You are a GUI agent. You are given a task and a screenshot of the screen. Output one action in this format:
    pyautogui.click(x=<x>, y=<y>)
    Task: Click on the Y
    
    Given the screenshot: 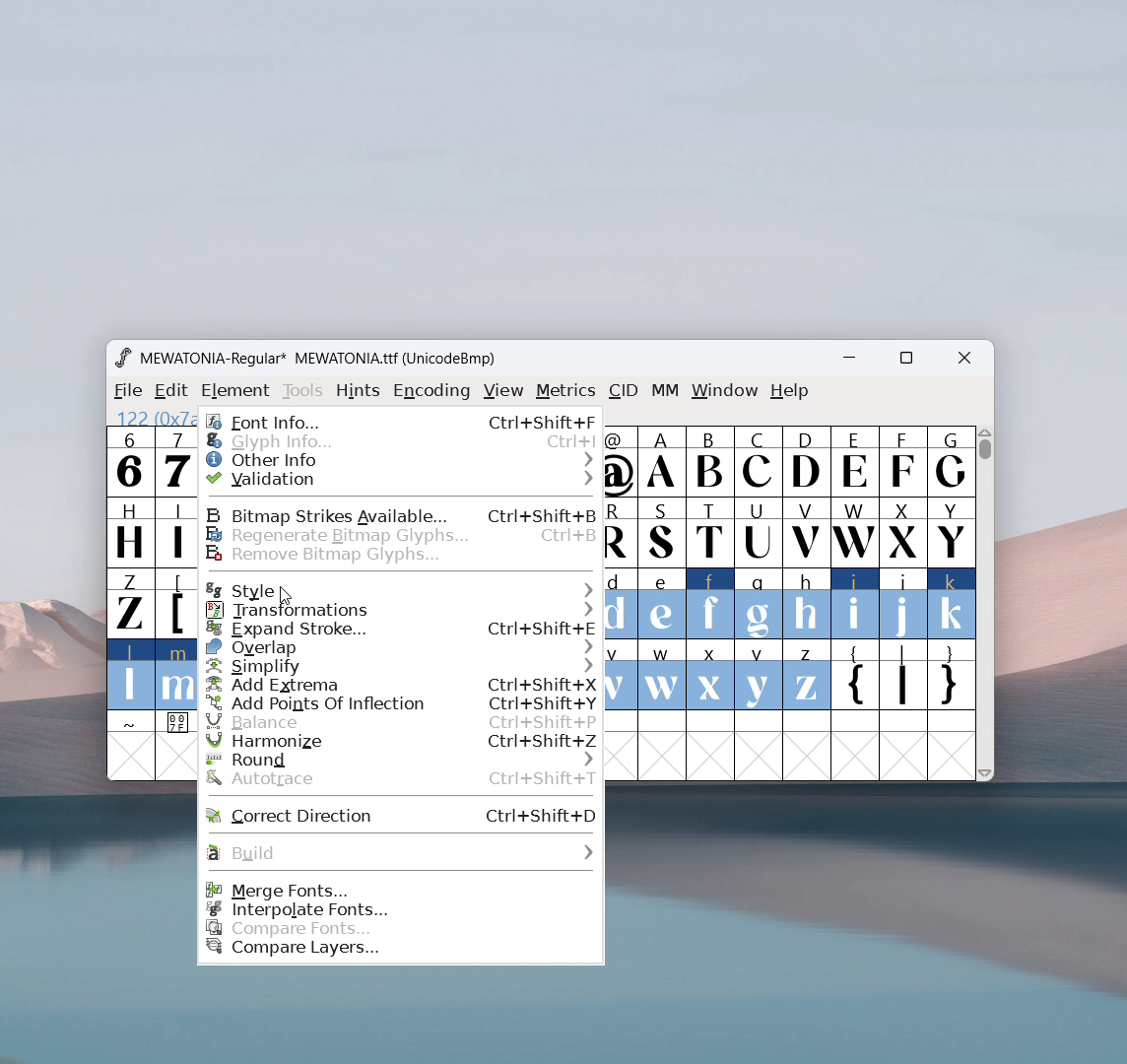 What is the action you would take?
    pyautogui.click(x=952, y=531)
    